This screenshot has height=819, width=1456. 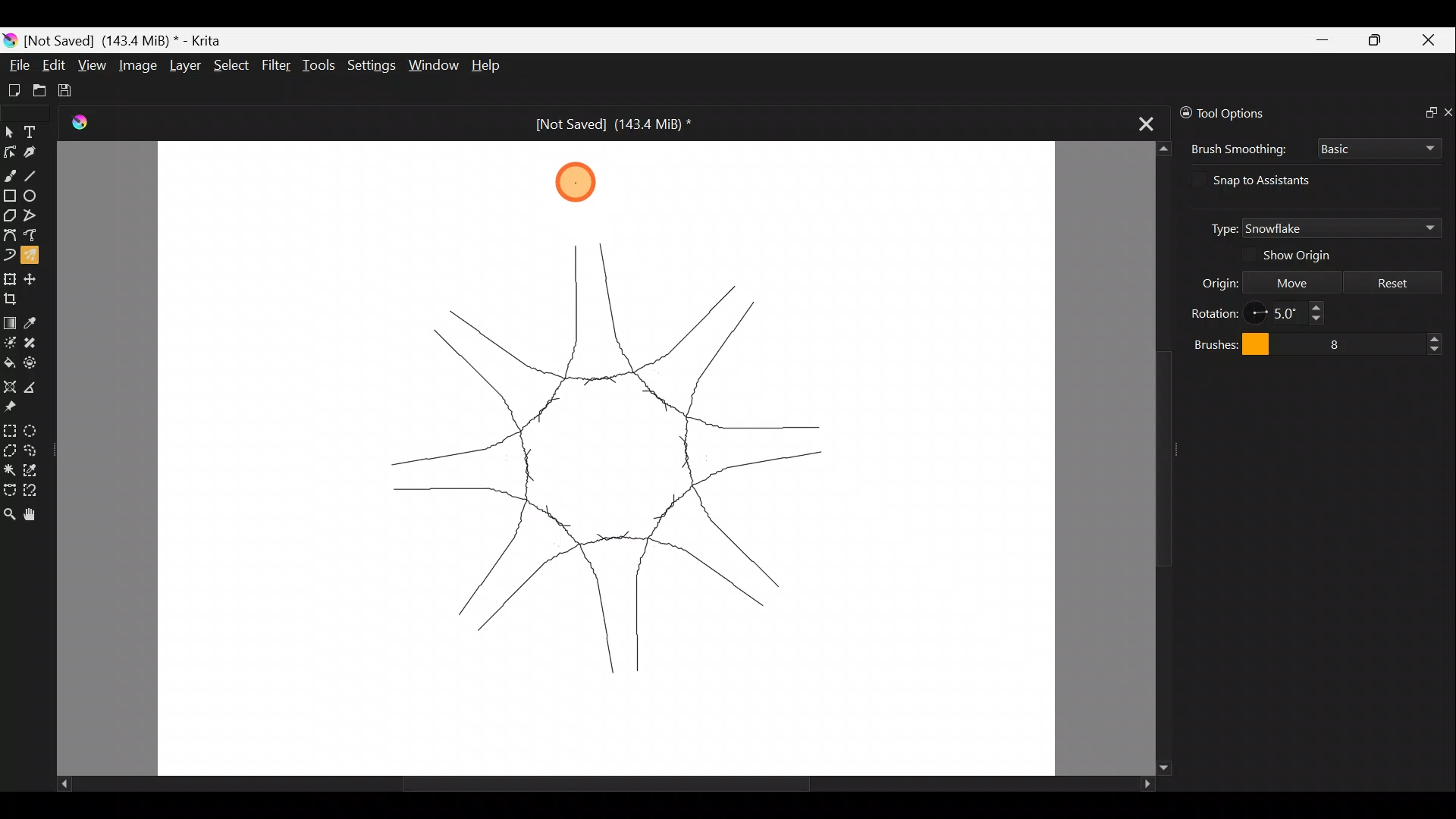 What do you see at coordinates (70, 91) in the screenshot?
I see `Save` at bounding box center [70, 91].